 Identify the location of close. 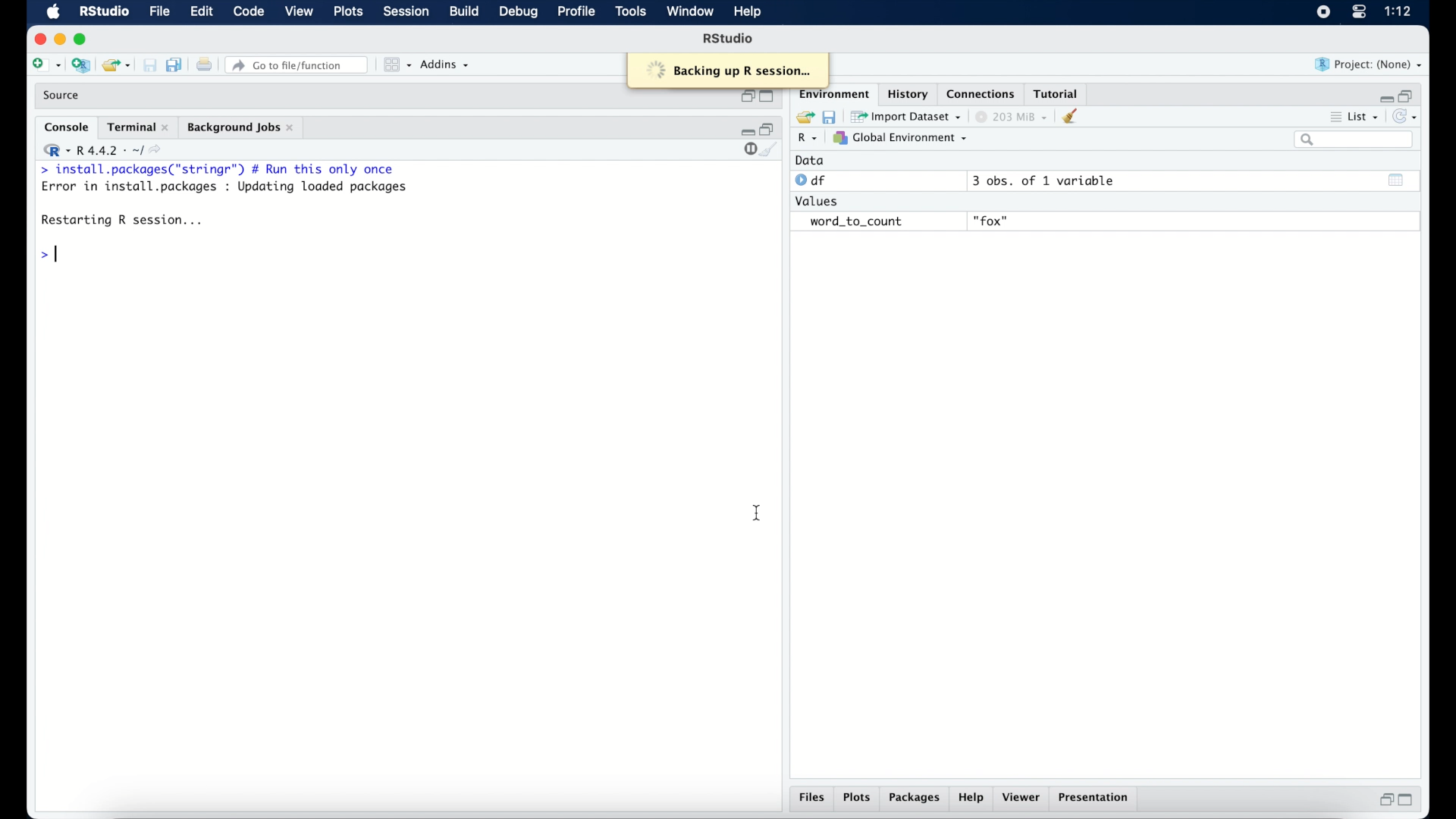
(38, 39).